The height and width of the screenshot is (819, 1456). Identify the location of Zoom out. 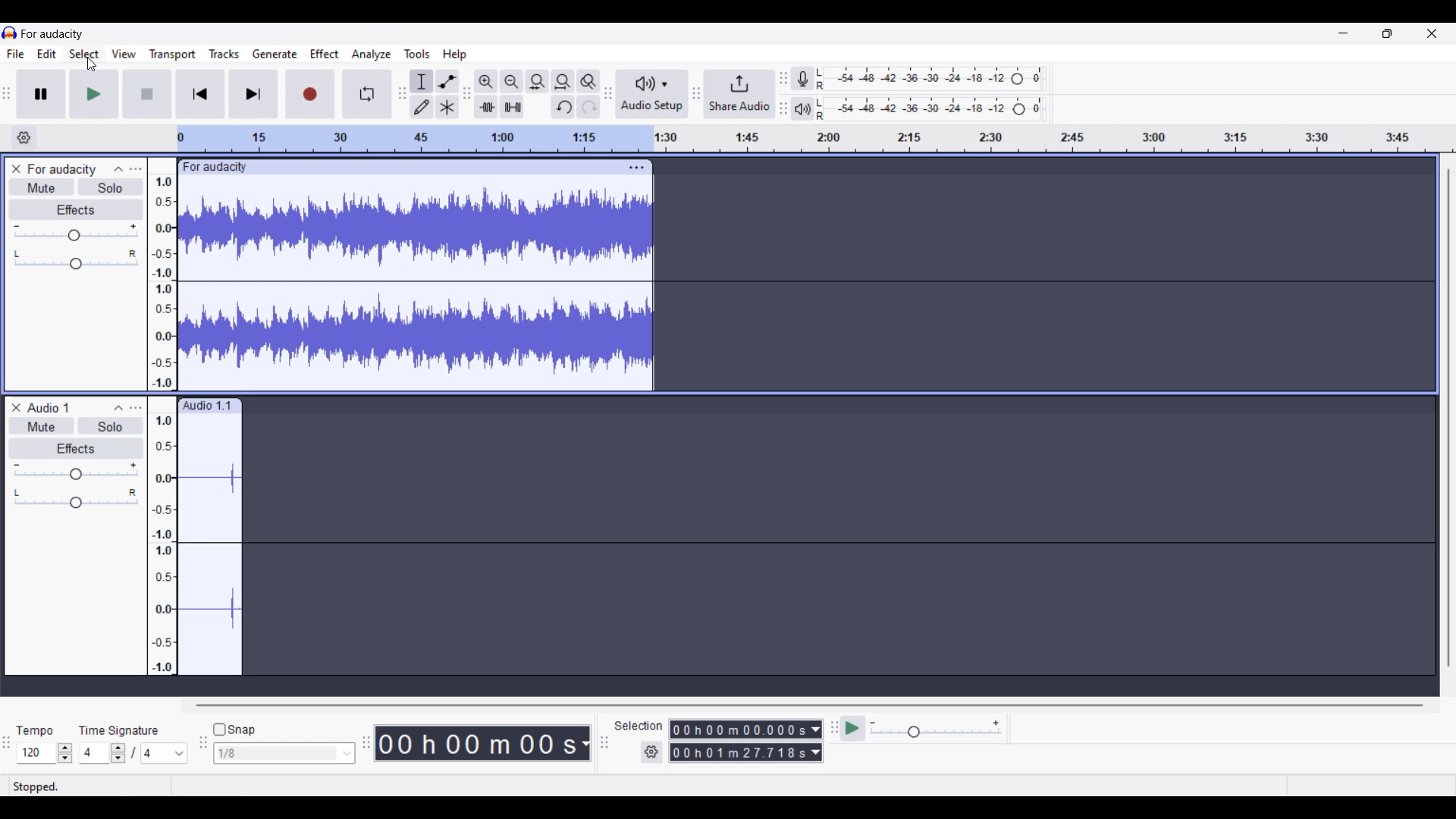
(511, 82).